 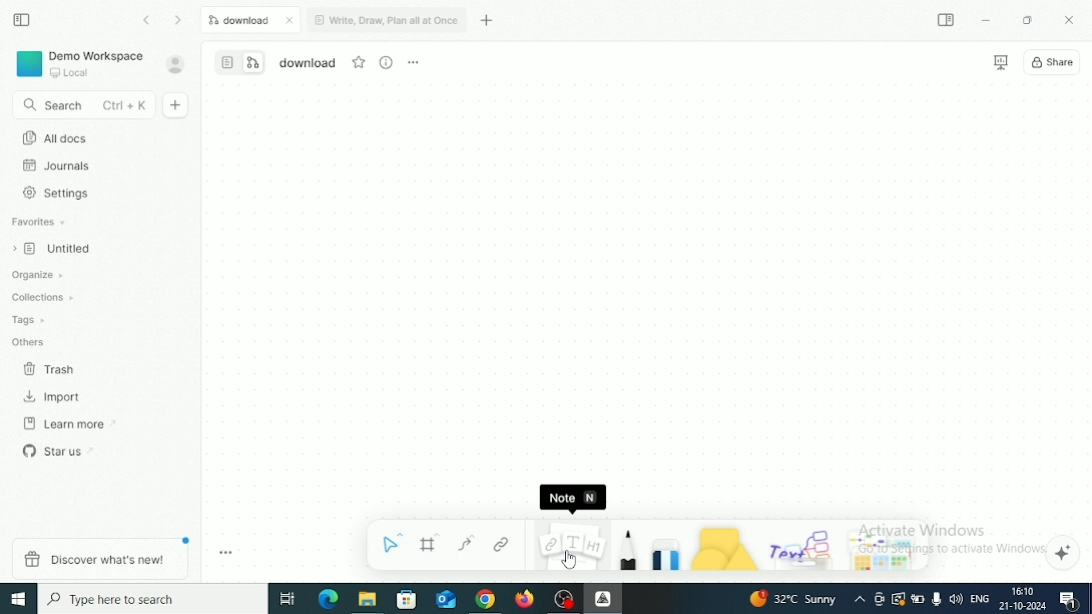 What do you see at coordinates (936, 599) in the screenshot?
I see `Mic` at bounding box center [936, 599].